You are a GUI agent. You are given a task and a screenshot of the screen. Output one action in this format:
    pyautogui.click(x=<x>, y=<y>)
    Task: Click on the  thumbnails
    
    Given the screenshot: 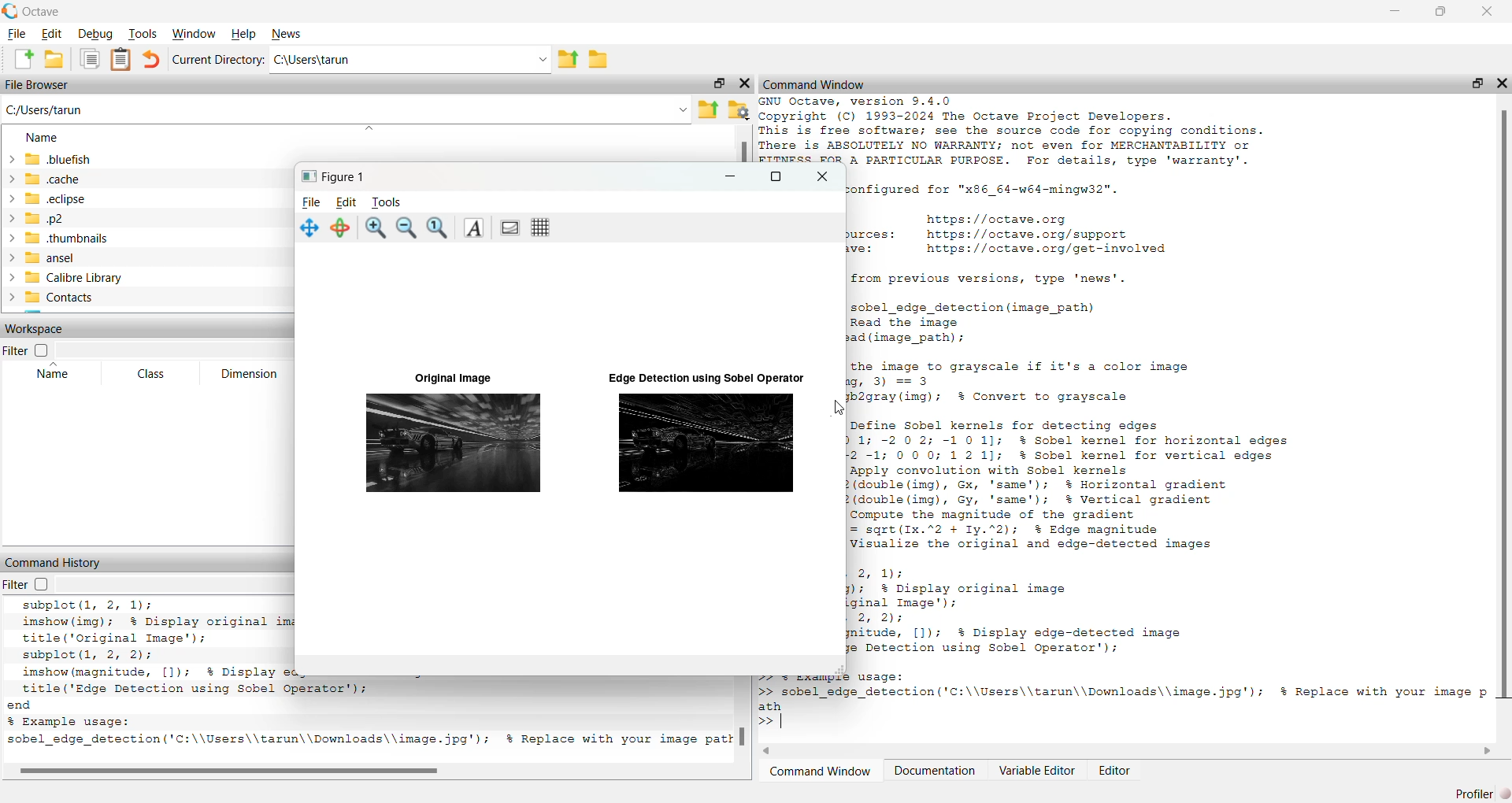 What is the action you would take?
    pyautogui.click(x=61, y=239)
    